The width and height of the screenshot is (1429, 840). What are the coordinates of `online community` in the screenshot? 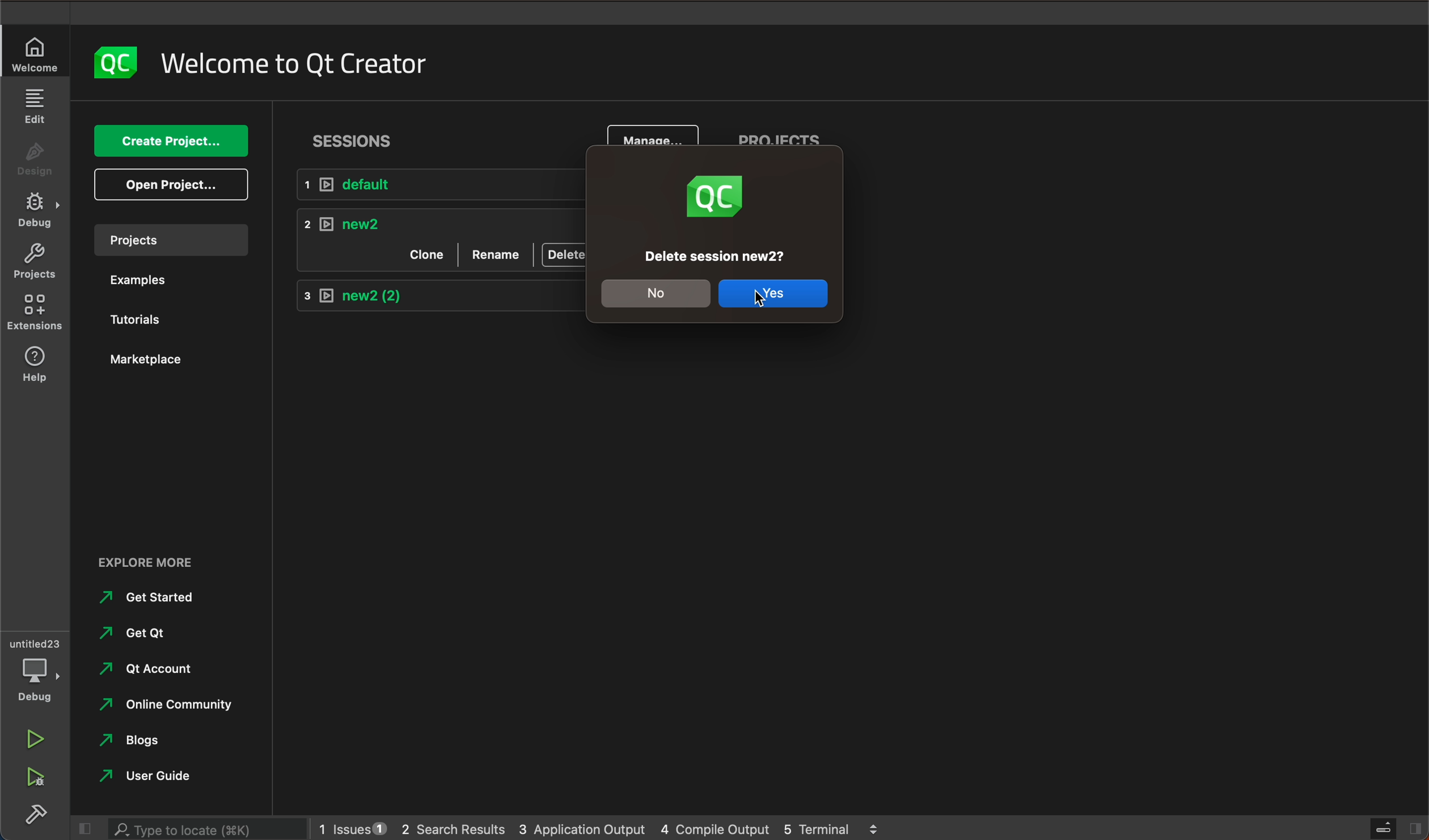 It's located at (172, 703).